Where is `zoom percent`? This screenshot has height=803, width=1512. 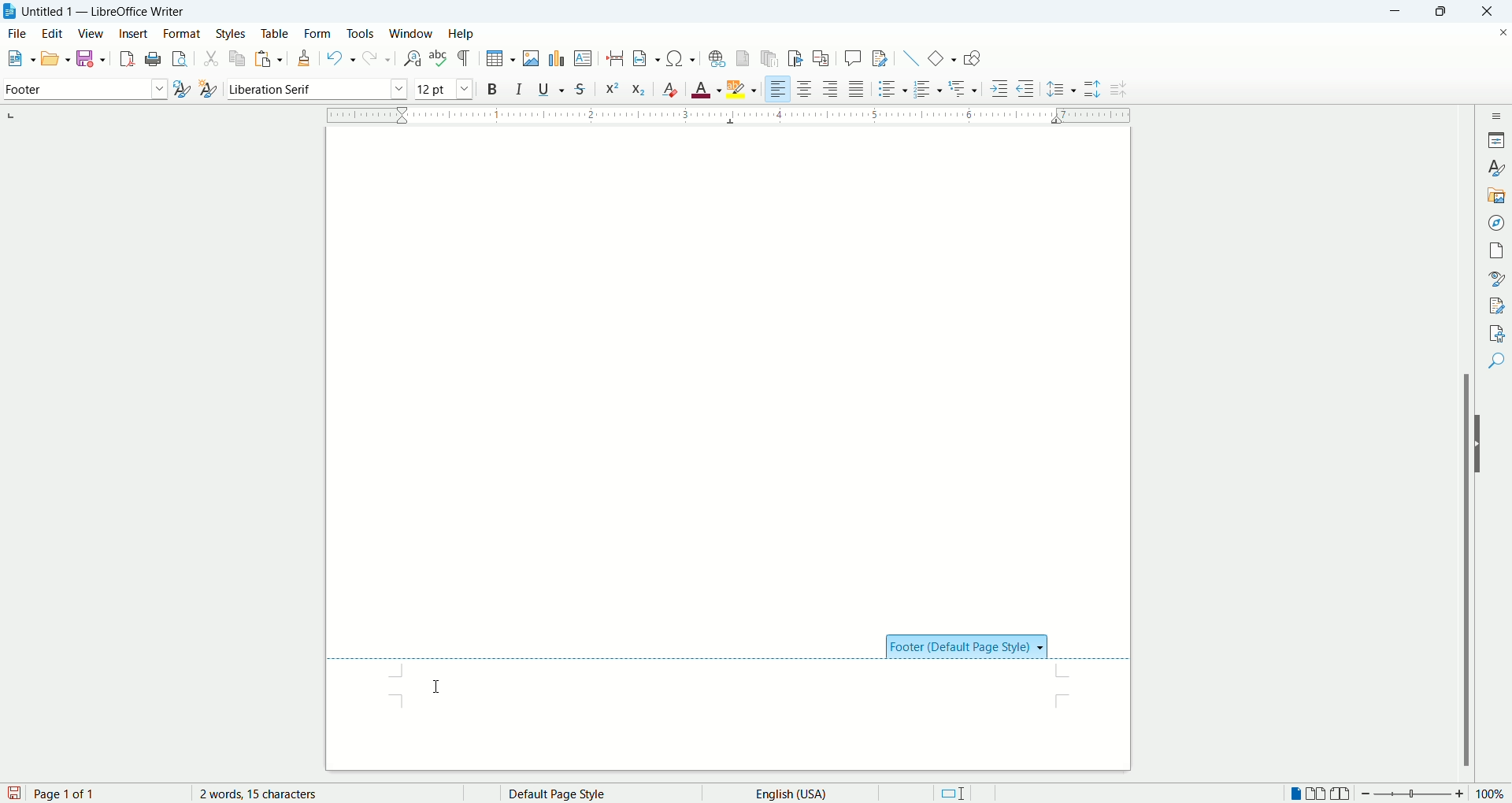 zoom percent is located at coordinates (1492, 795).